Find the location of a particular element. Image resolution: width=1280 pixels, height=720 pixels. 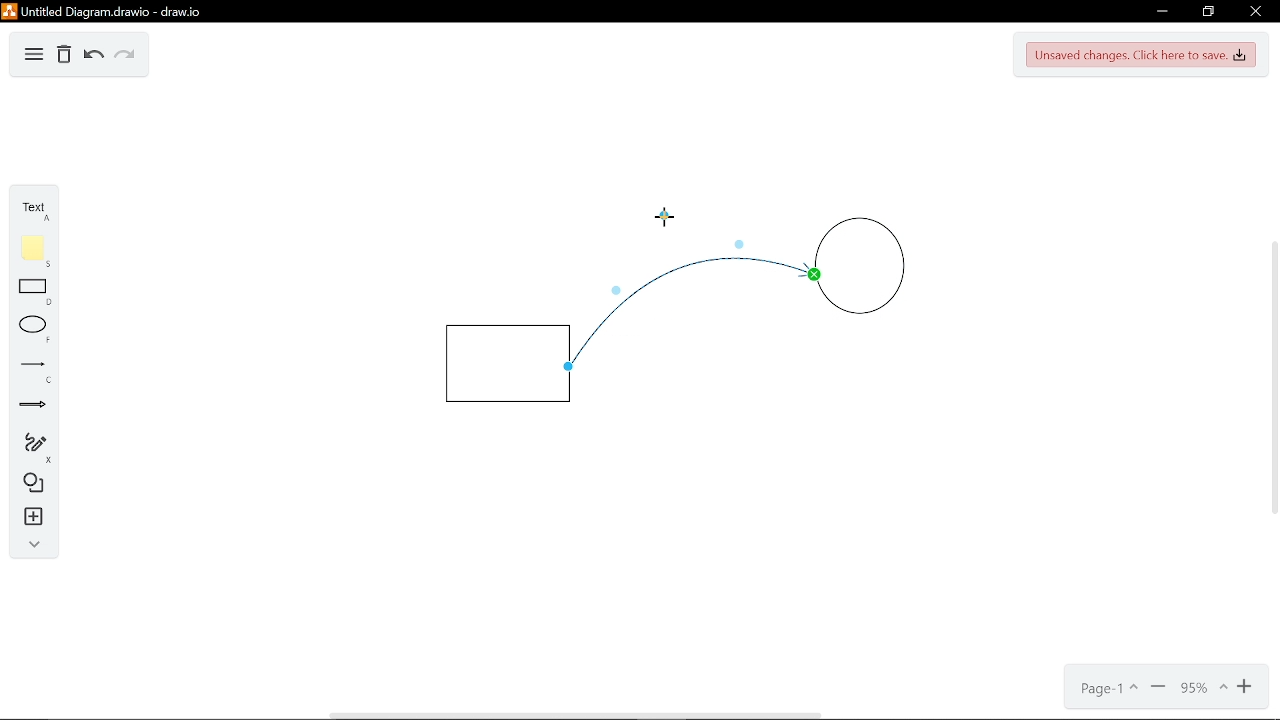

Zoom in is located at coordinates (1246, 688).